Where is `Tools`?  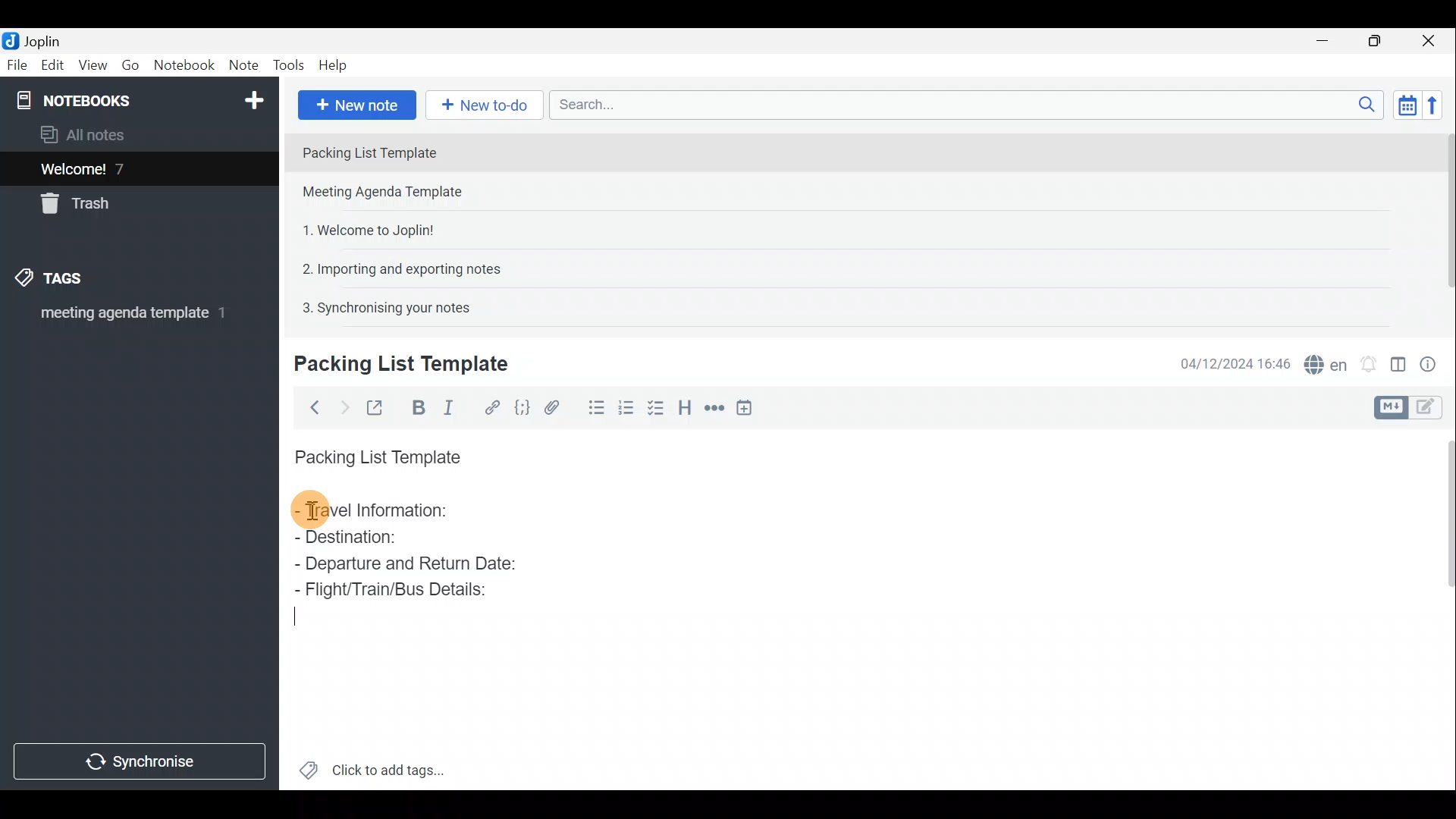 Tools is located at coordinates (290, 66).